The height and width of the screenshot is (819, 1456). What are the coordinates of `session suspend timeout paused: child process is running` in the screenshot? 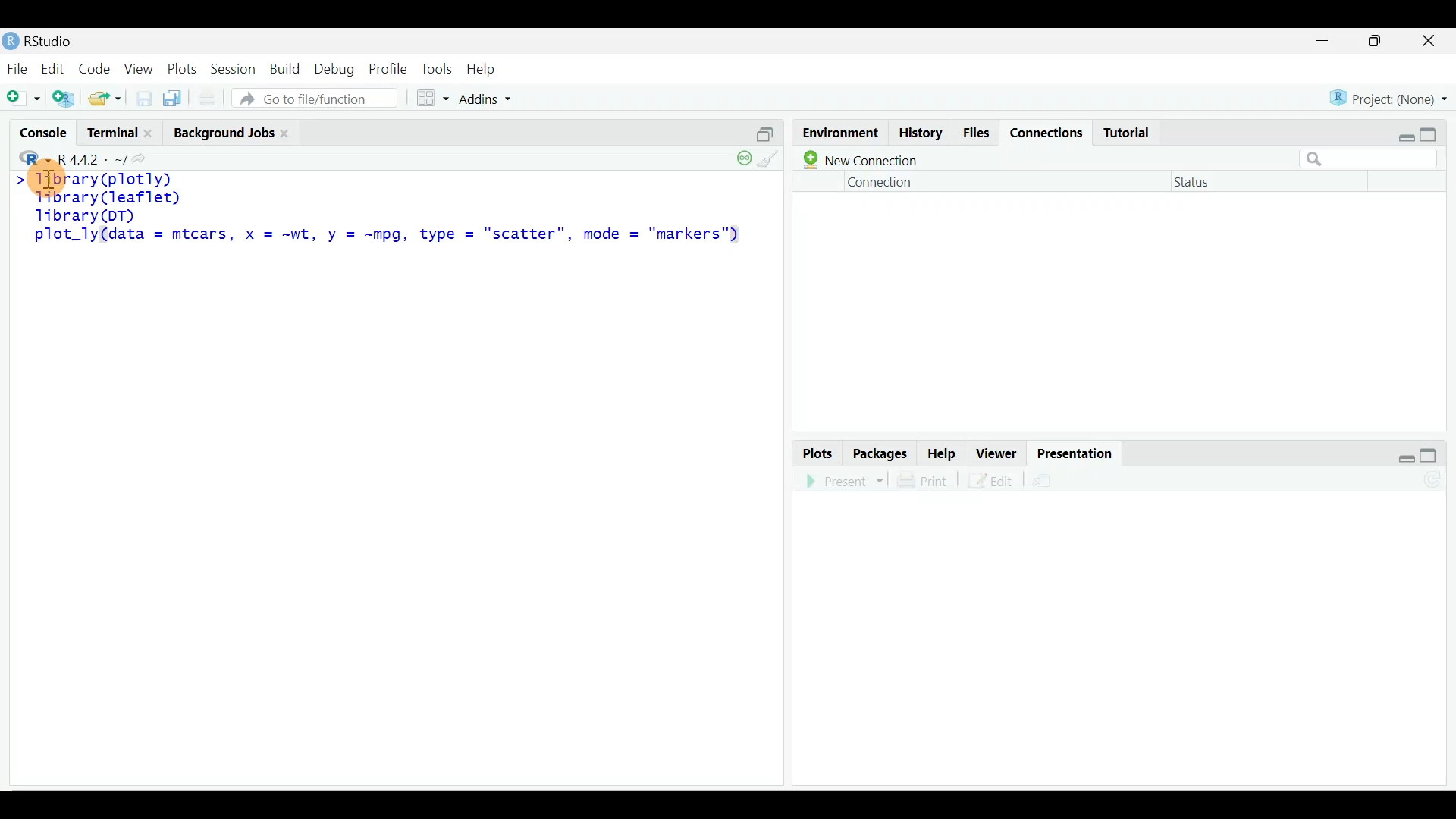 It's located at (740, 165).